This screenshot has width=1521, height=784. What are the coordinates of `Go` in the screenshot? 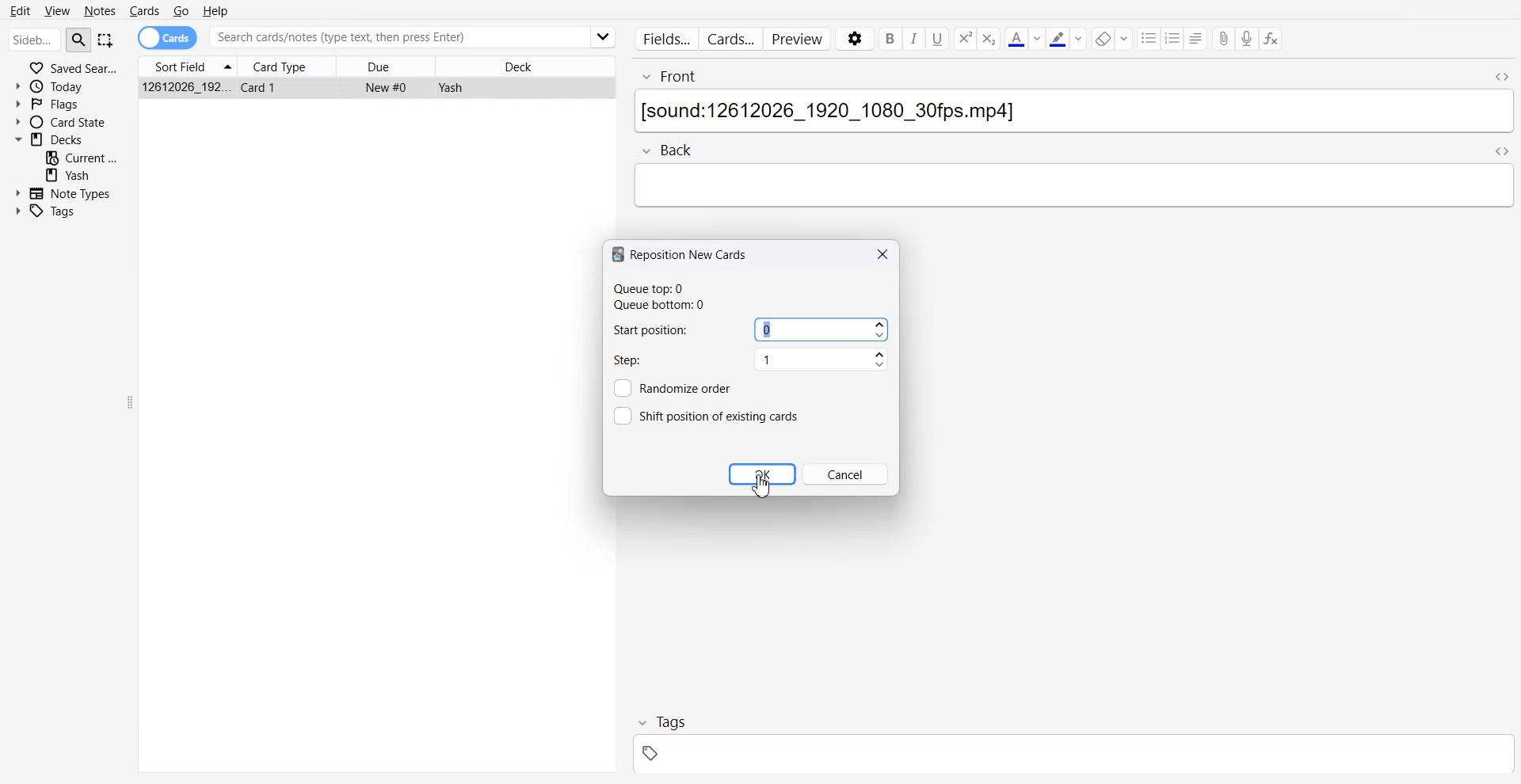 It's located at (180, 10).